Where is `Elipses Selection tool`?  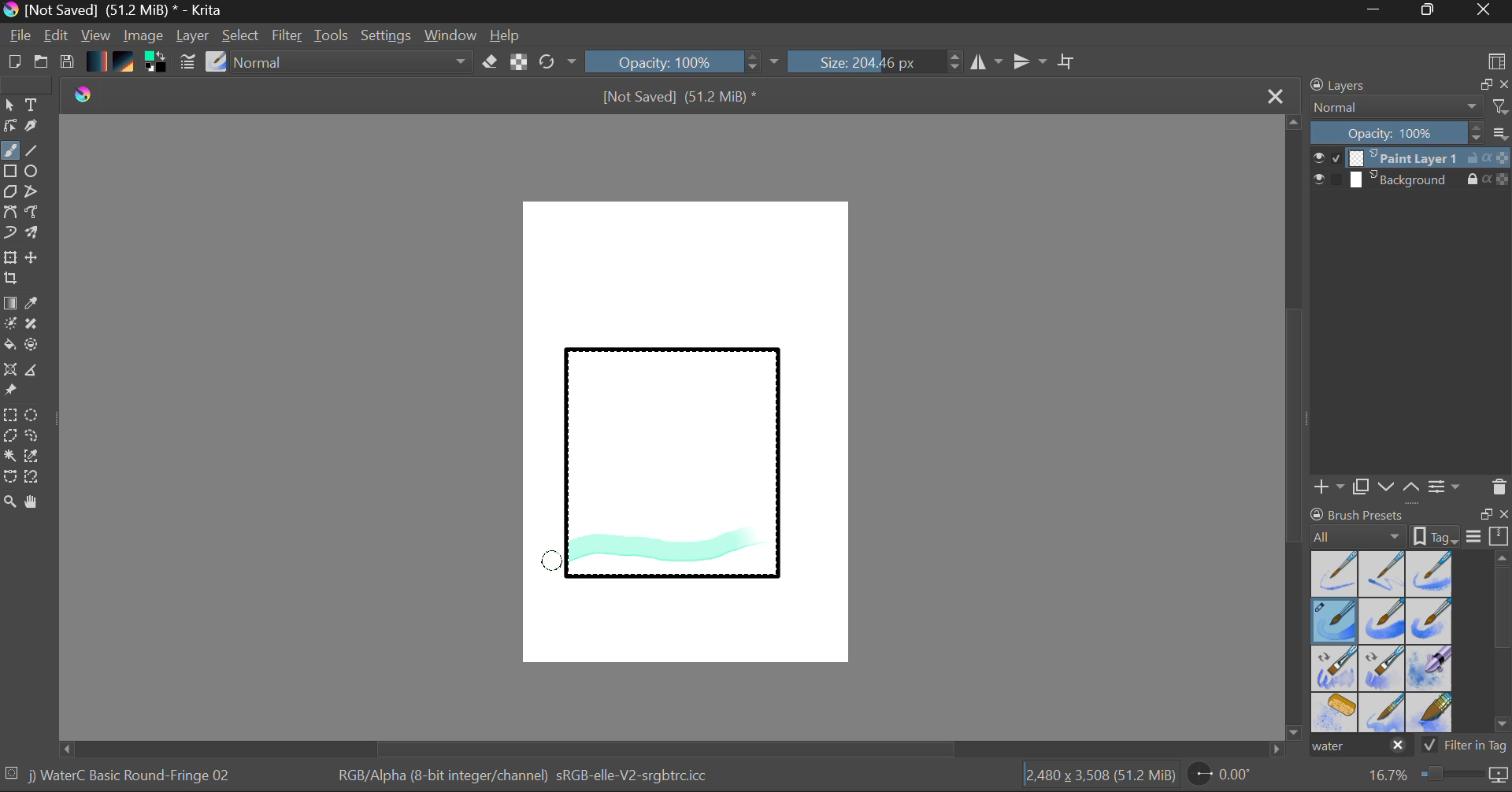 Elipses Selection tool is located at coordinates (35, 416).